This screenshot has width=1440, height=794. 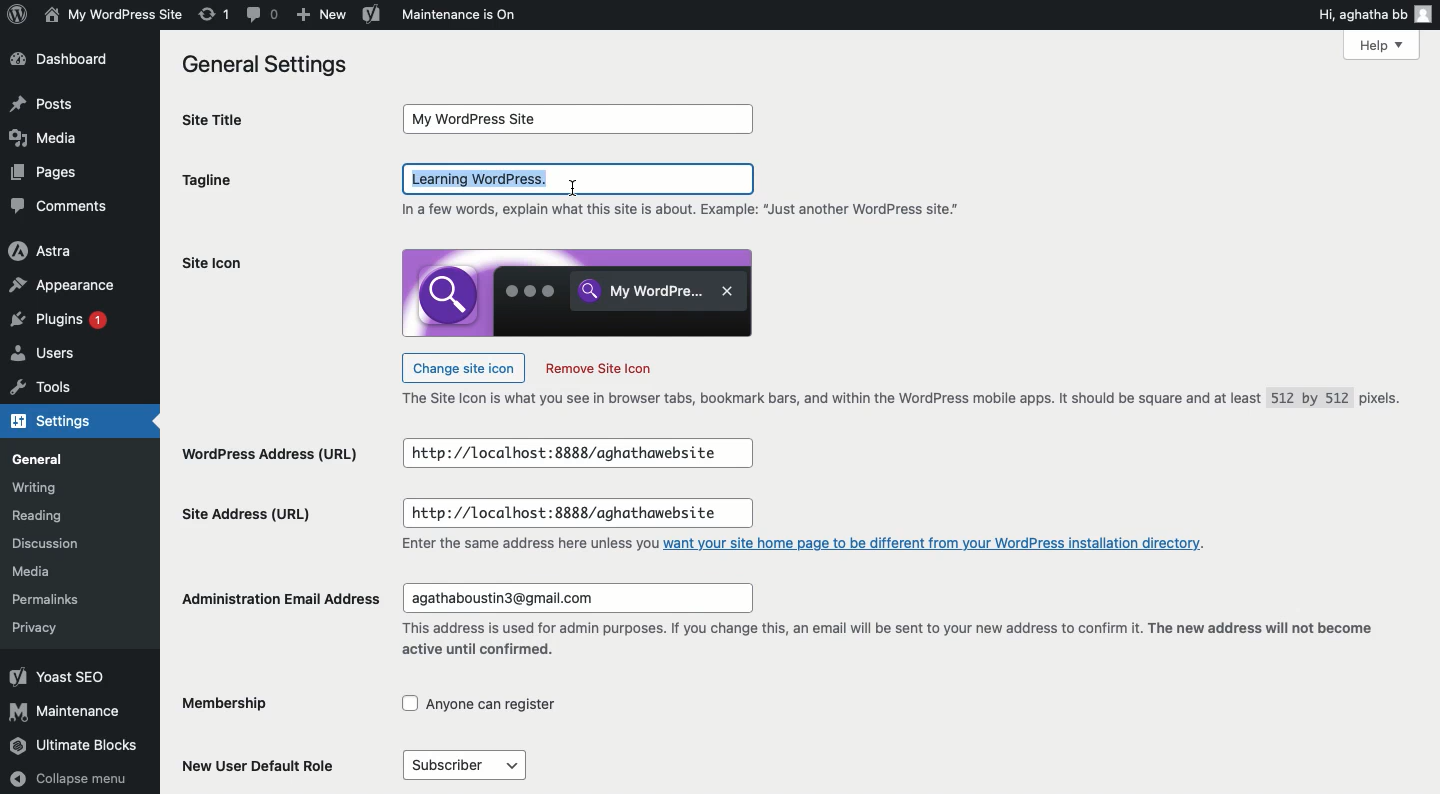 What do you see at coordinates (264, 764) in the screenshot?
I see `New user default role` at bounding box center [264, 764].